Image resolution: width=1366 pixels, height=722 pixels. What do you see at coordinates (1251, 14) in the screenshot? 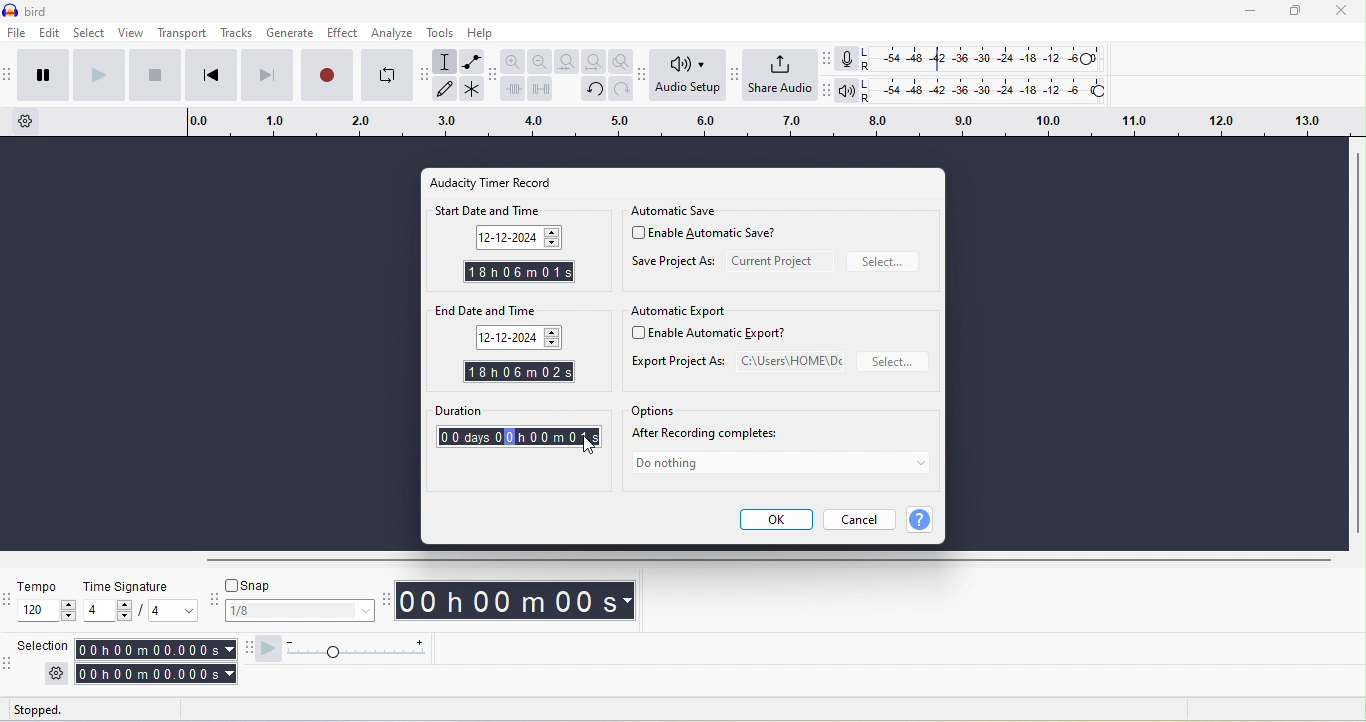
I see `minimize` at bounding box center [1251, 14].